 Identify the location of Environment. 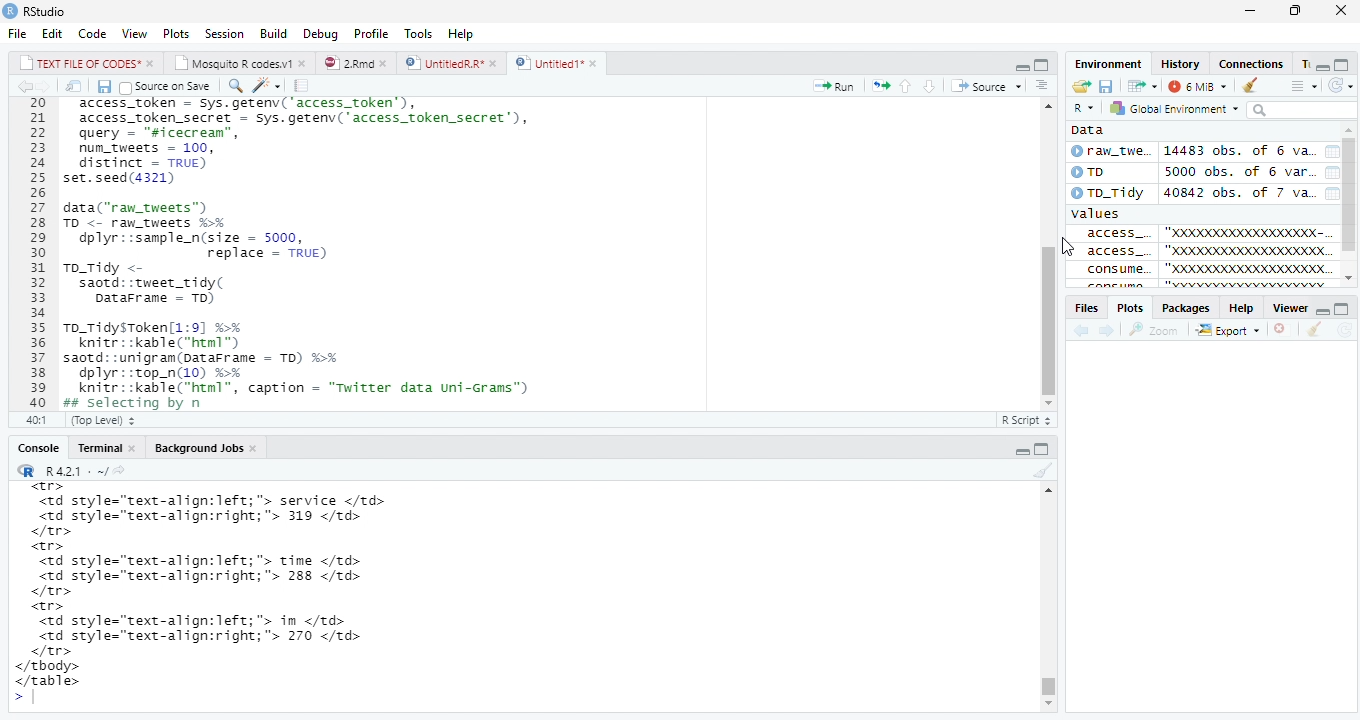
(1110, 63).